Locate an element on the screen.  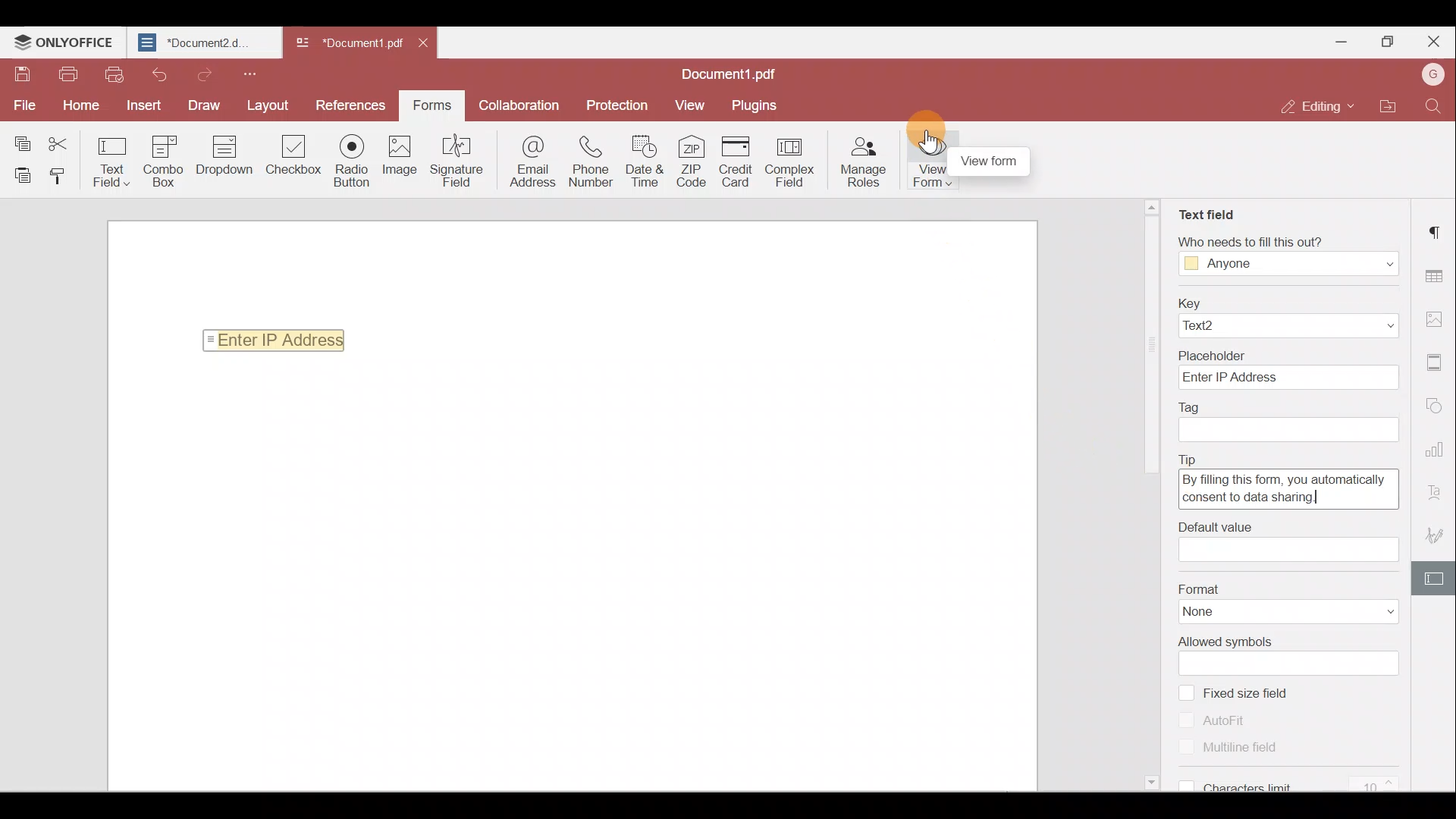
Image is located at coordinates (406, 161).